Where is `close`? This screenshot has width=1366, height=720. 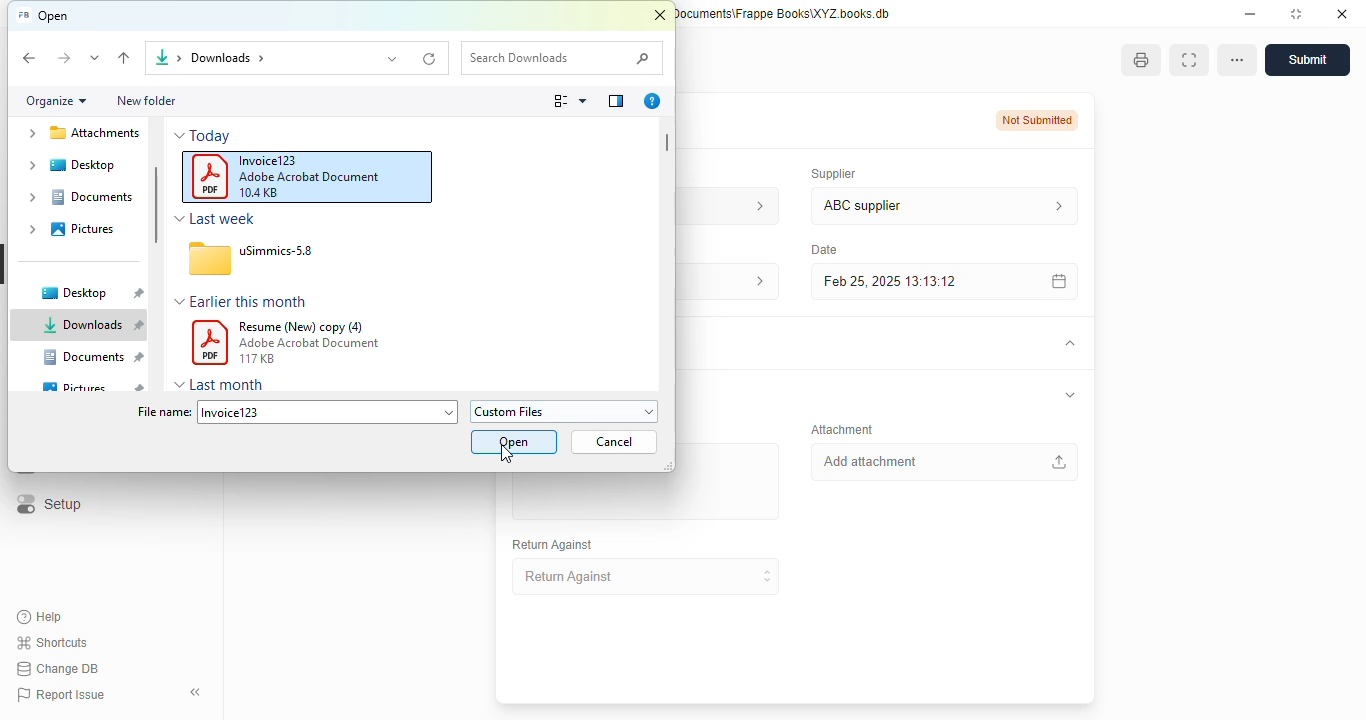
close is located at coordinates (660, 16).